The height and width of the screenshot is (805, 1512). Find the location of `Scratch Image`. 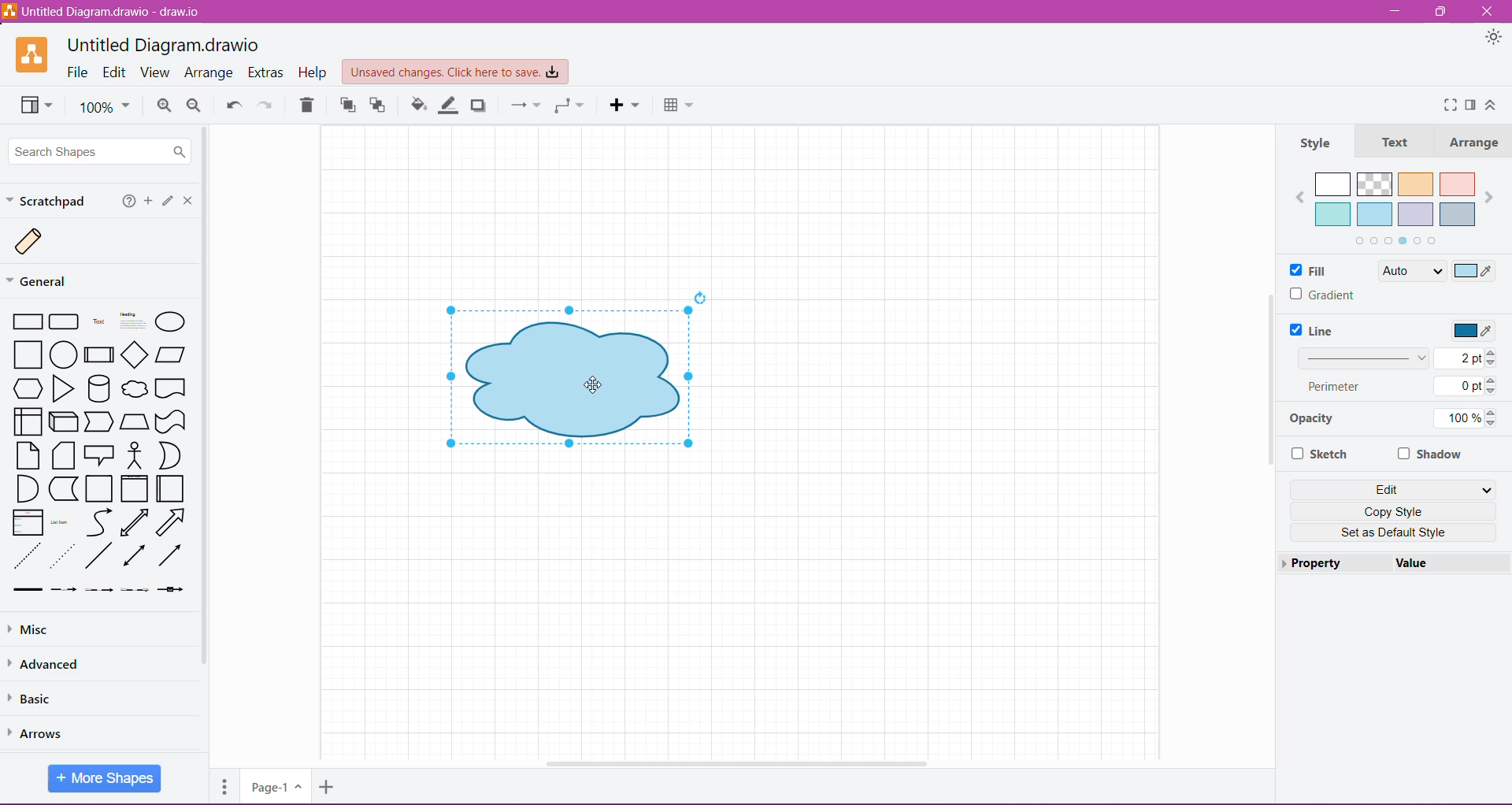

Scratch Image is located at coordinates (41, 243).